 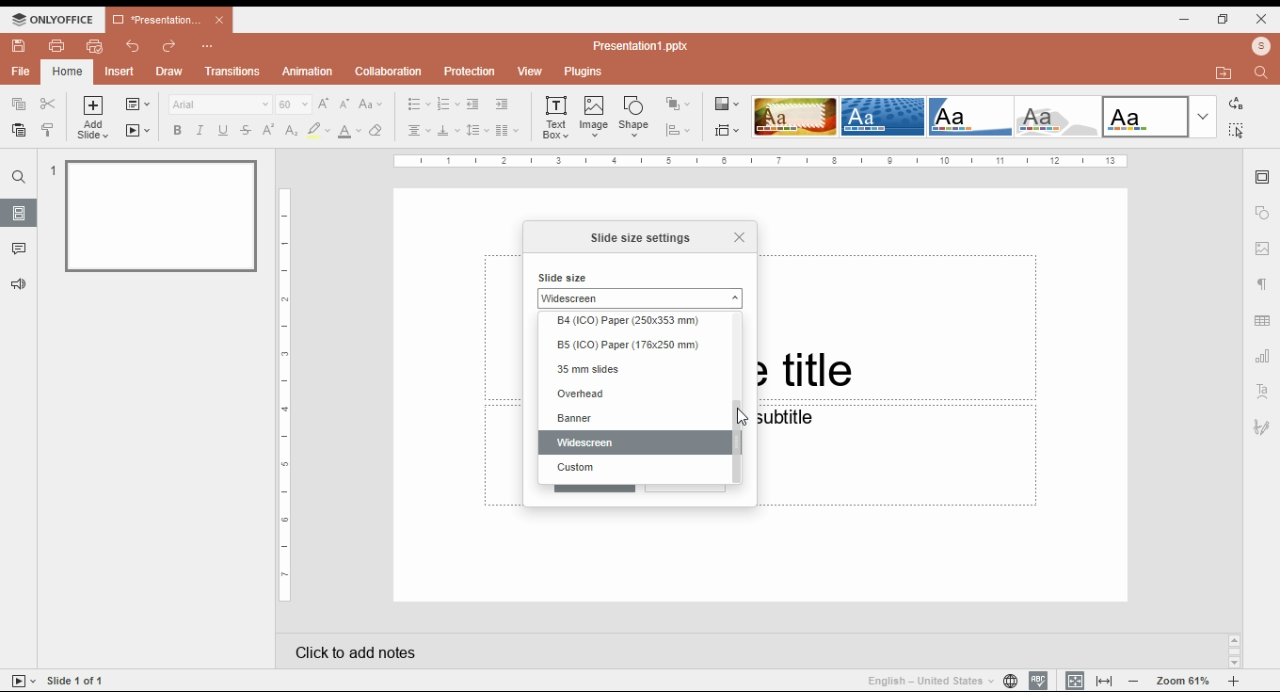 What do you see at coordinates (558, 116) in the screenshot?
I see `text box` at bounding box center [558, 116].